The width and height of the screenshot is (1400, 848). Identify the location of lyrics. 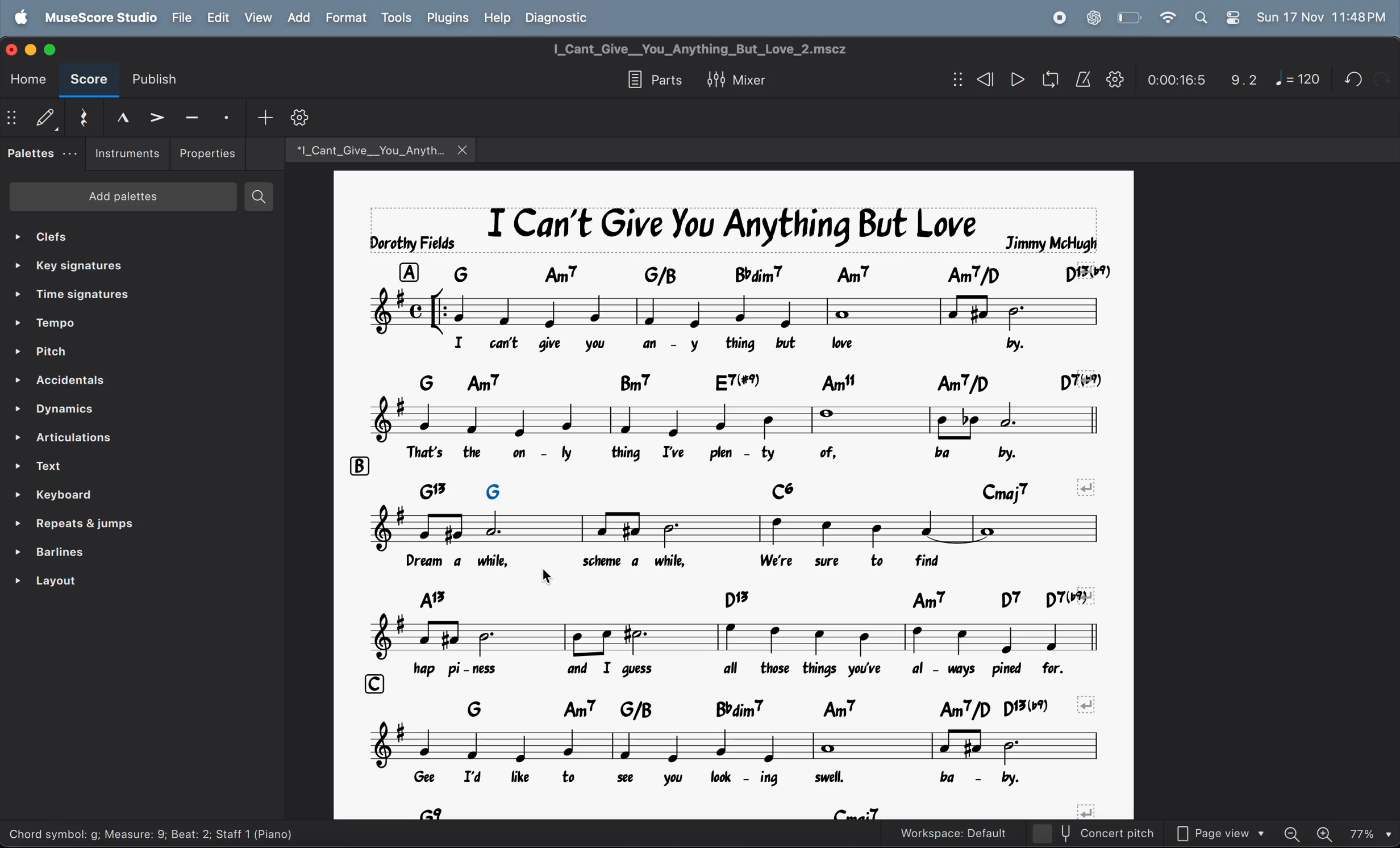
(695, 561).